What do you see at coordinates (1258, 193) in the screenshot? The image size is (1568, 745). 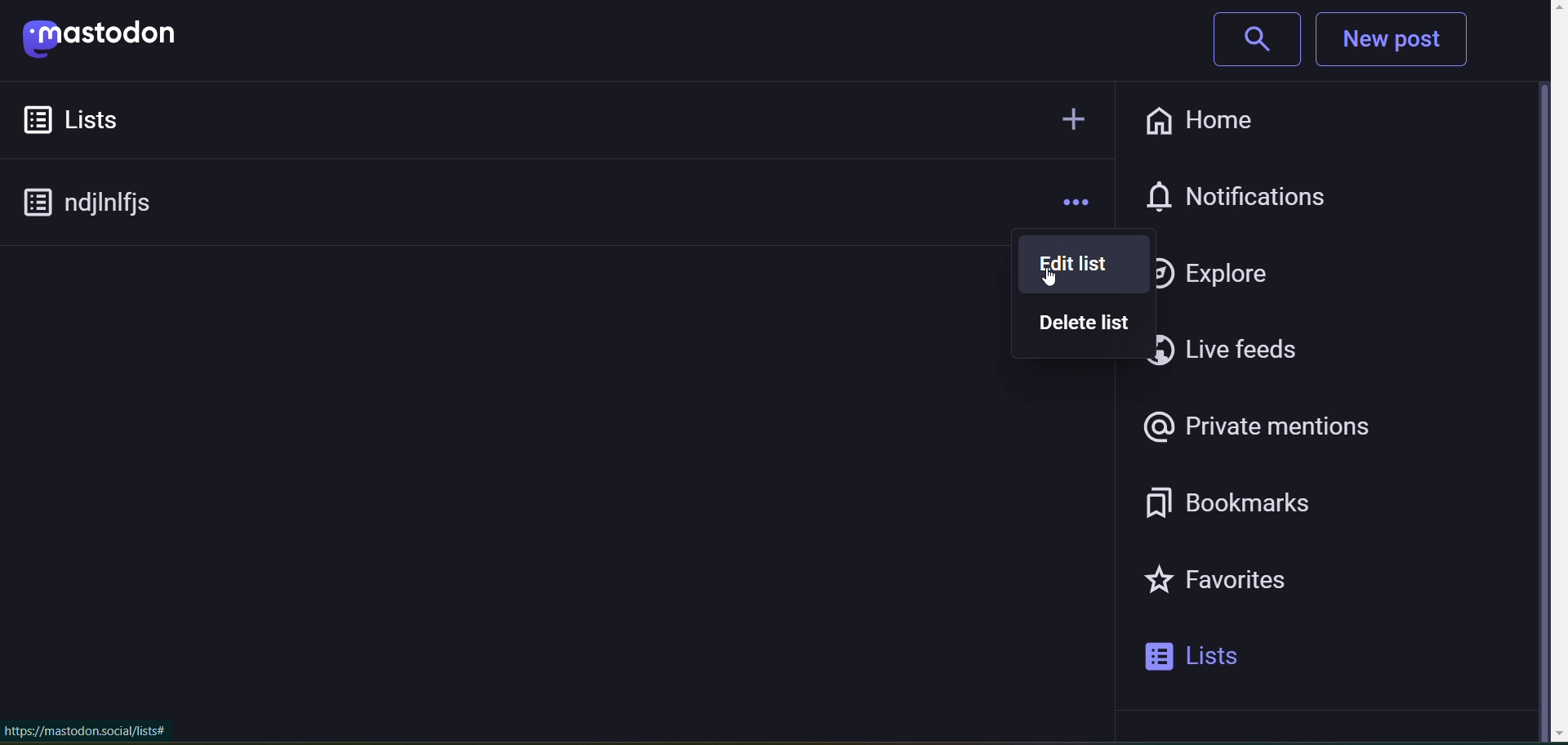 I see `notification` at bounding box center [1258, 193].